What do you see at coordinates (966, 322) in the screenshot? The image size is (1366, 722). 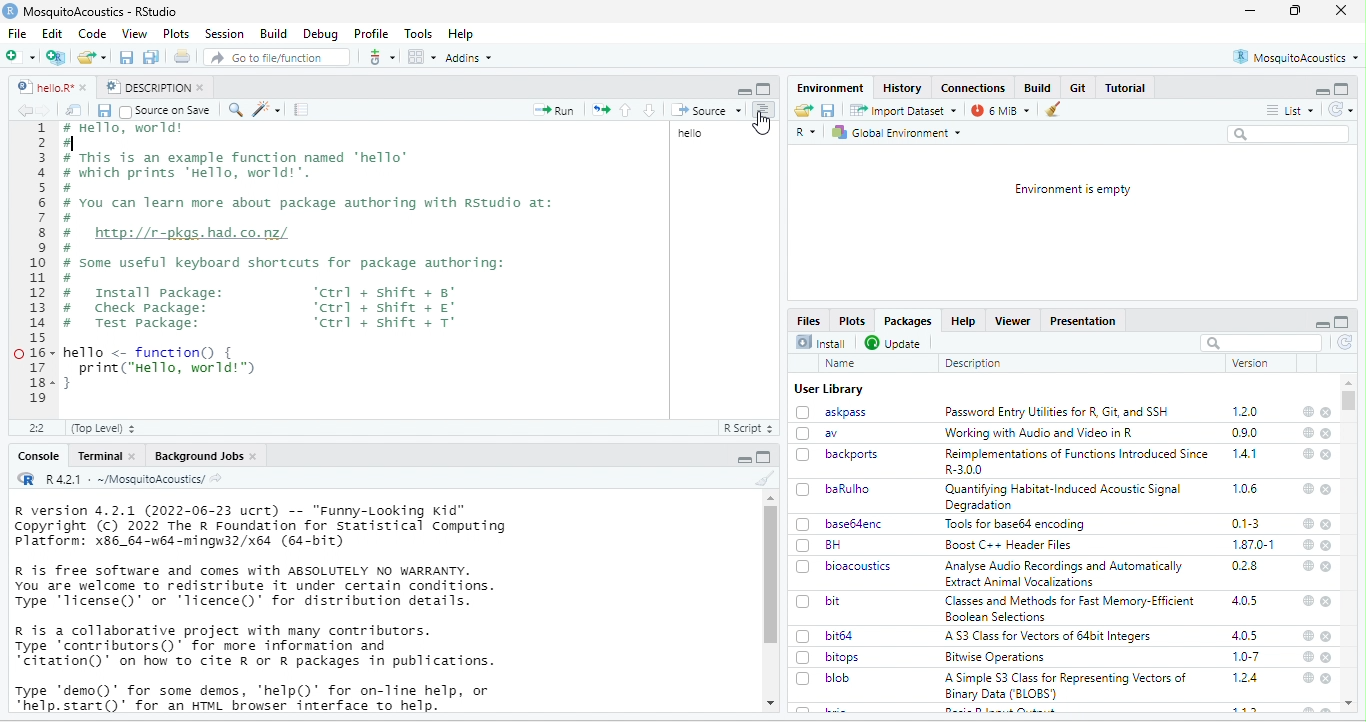 I see `Help` at bounding box center [966, 322].